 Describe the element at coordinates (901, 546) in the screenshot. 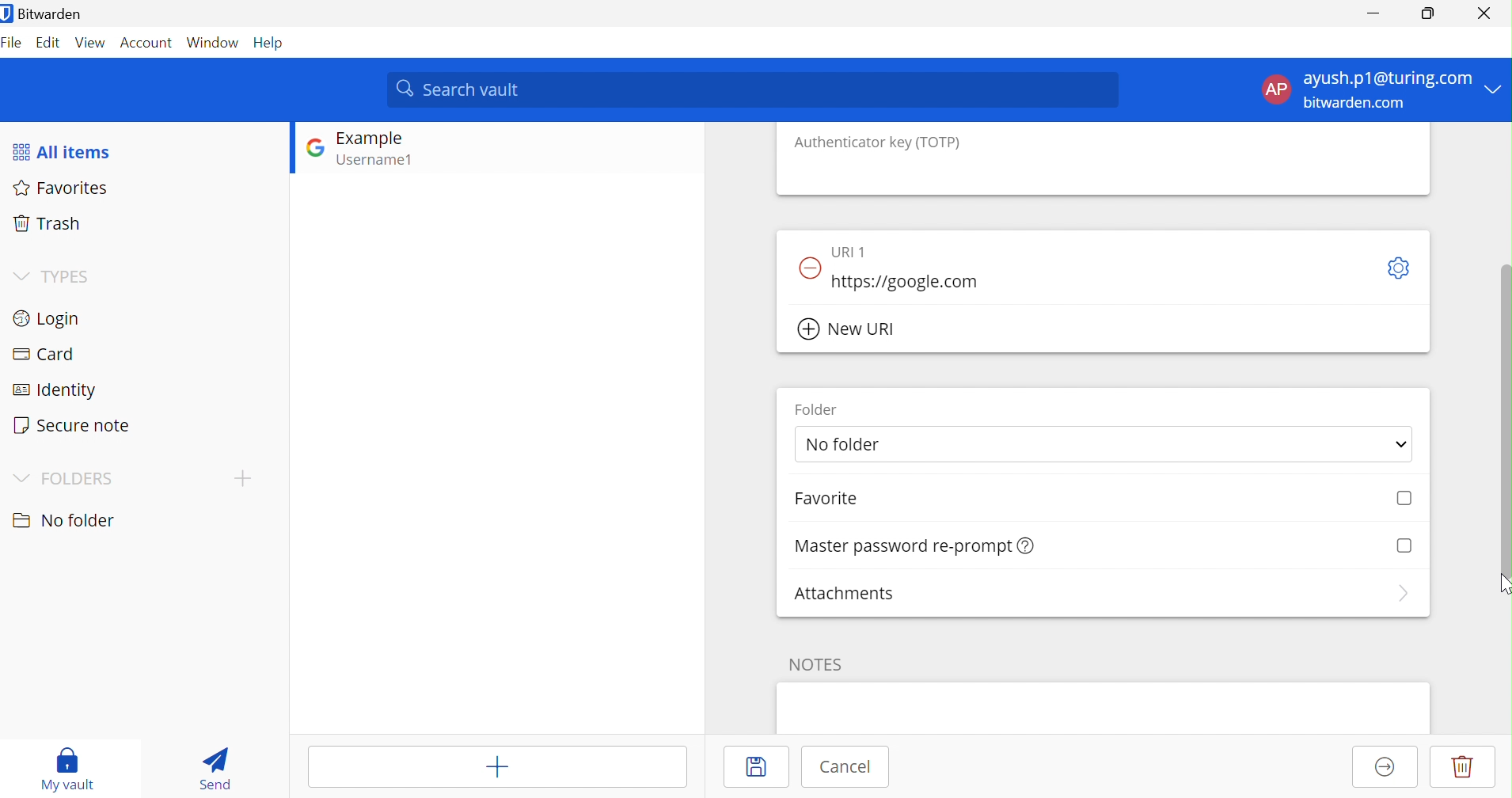

I see `Master password re-prompt` at that location.